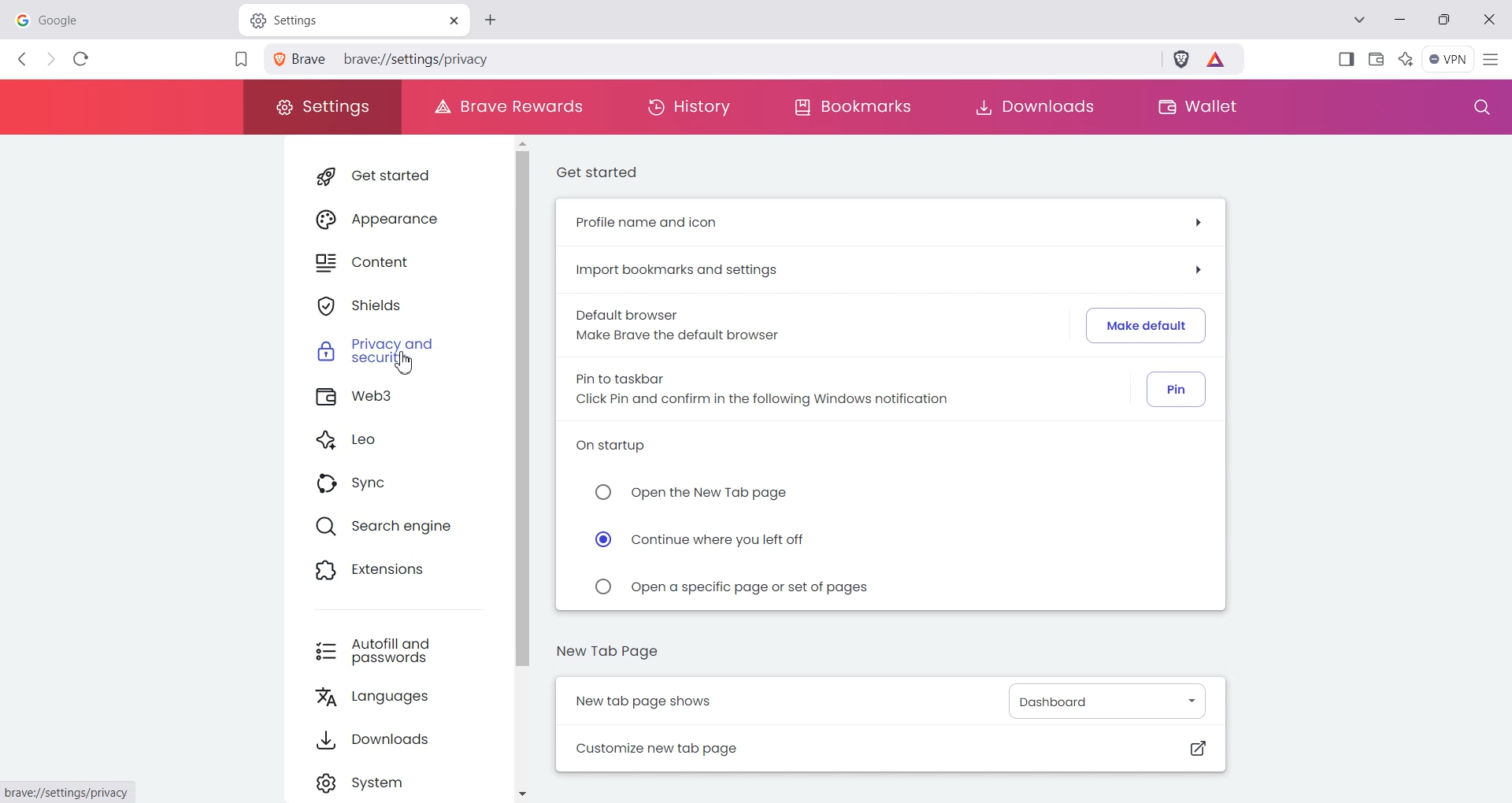  Describe the element at coordinates (405, 364) in the screenshot. I see `Cursor` at that location.